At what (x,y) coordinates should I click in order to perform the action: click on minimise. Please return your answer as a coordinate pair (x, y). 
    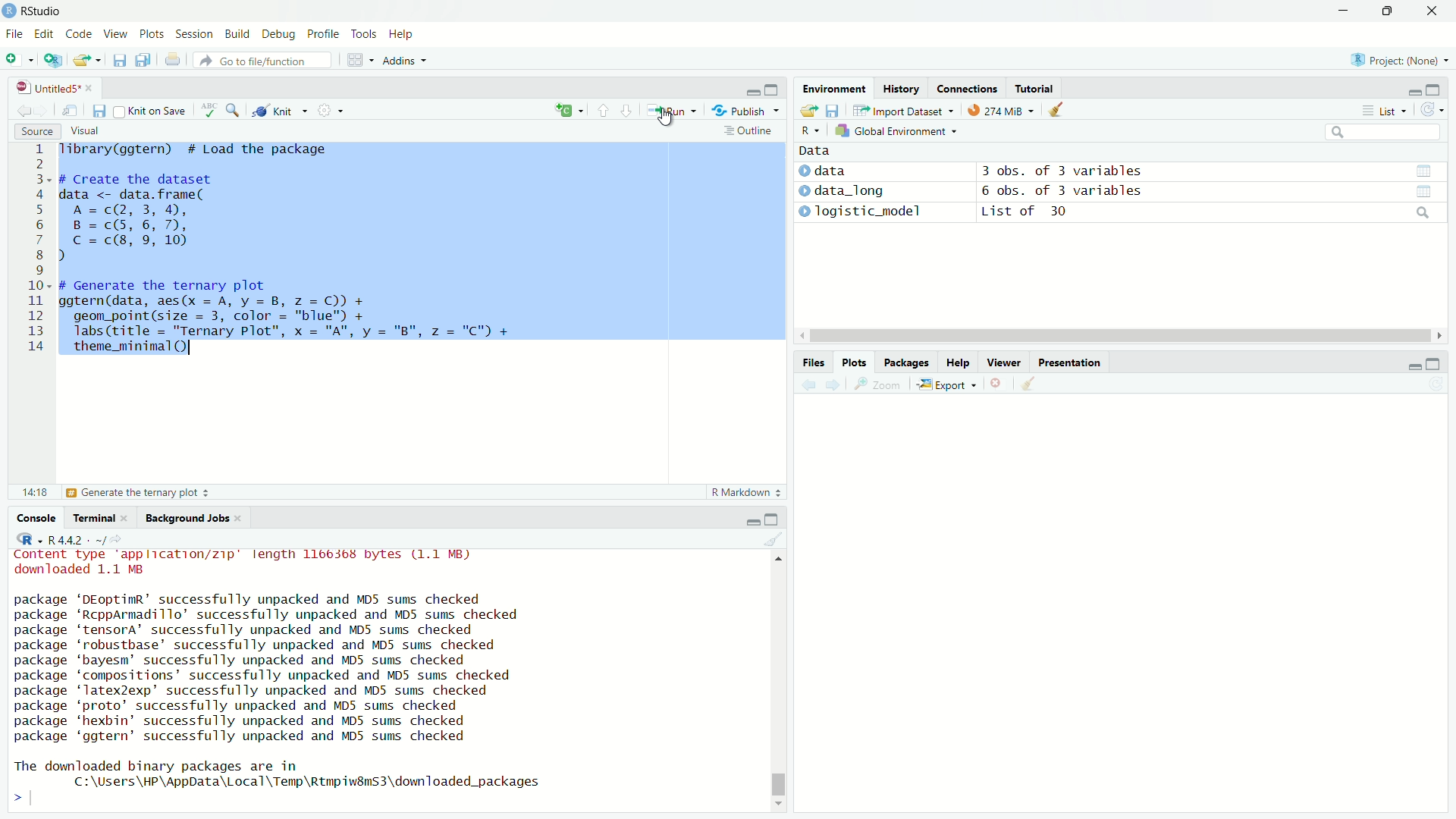
    Looking at the image, I should click on (752, 89).